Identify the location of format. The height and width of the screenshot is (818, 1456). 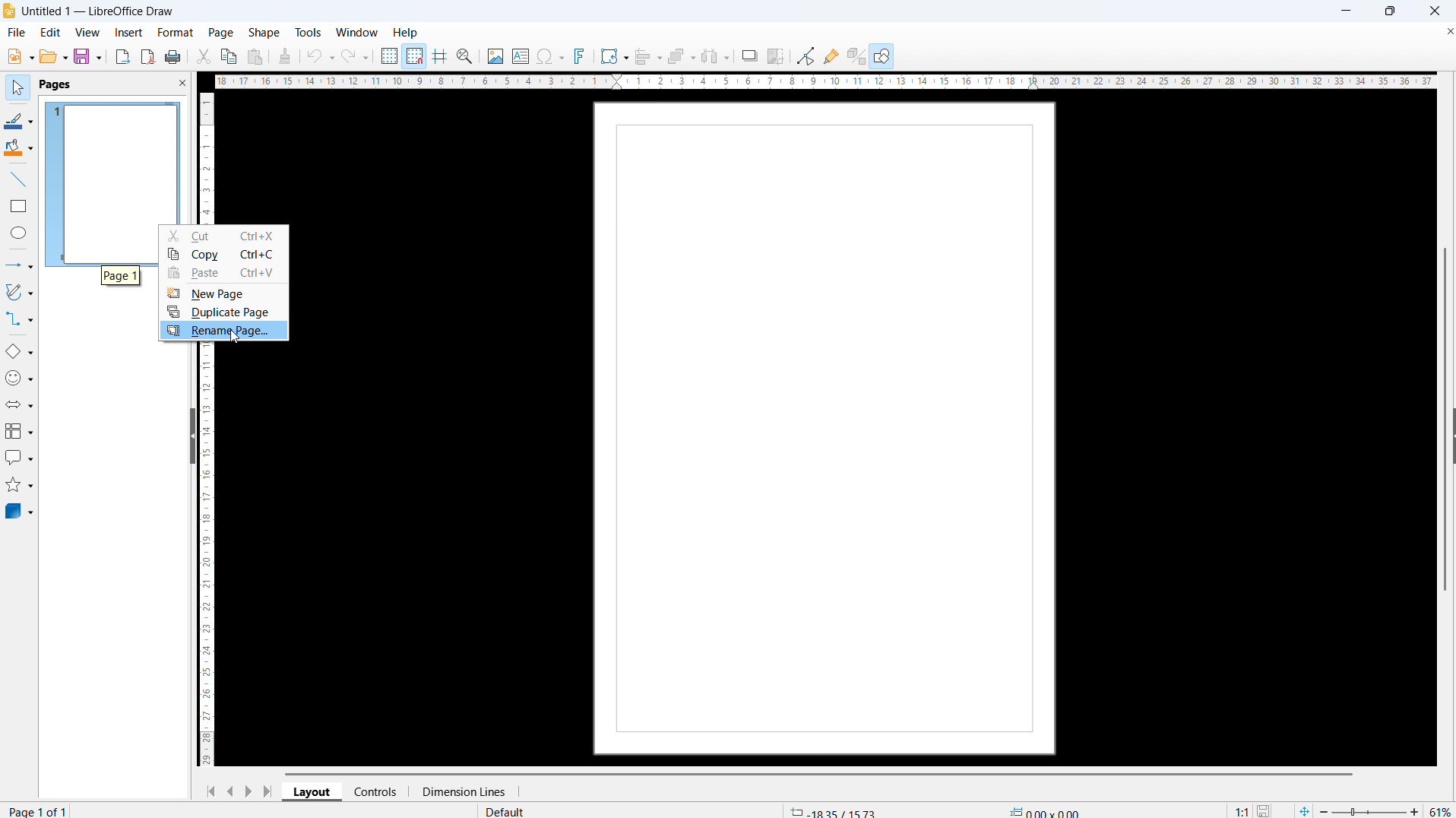
(176, 33).